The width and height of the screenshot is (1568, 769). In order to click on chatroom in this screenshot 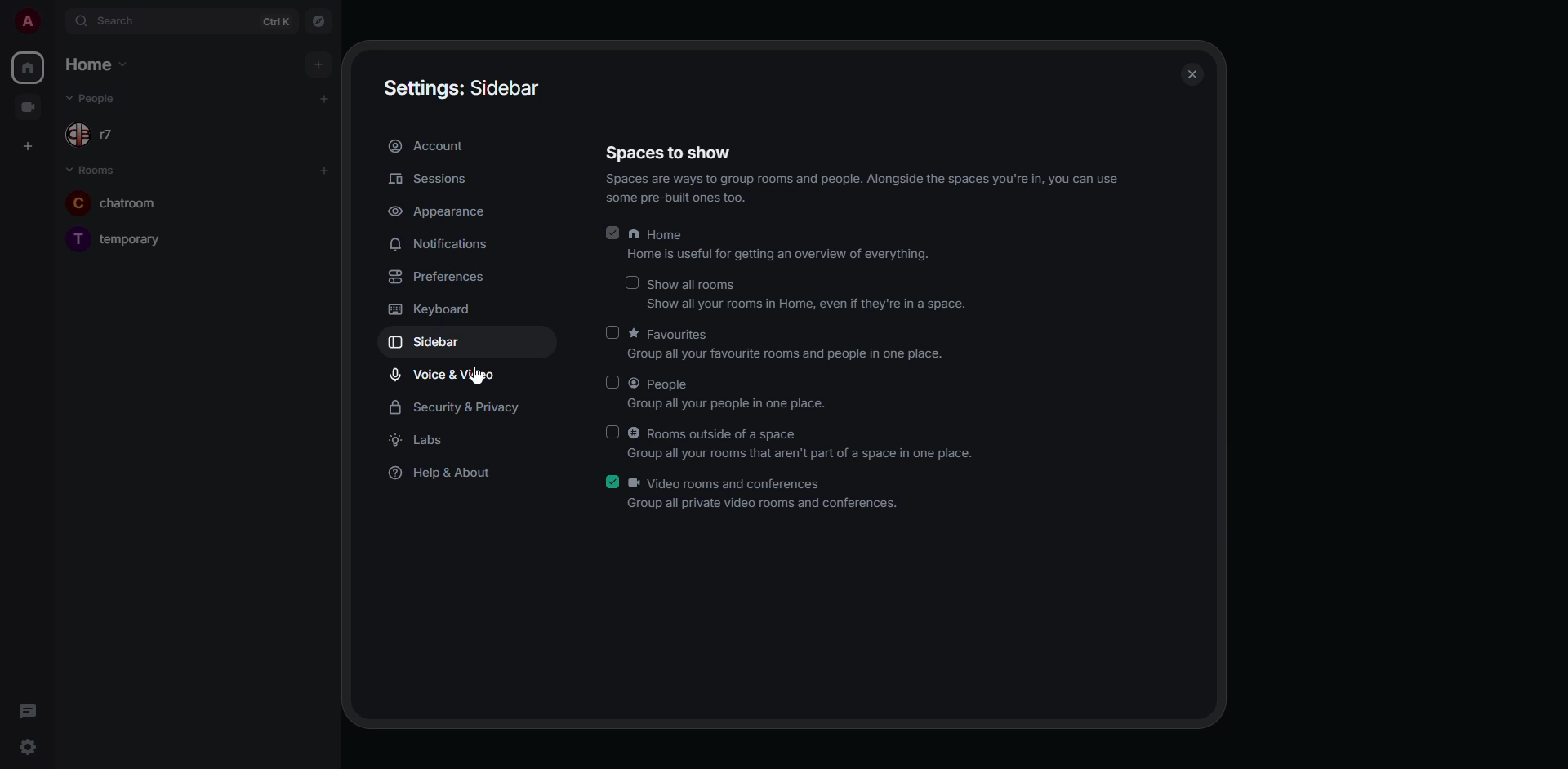, I will do `click(119, 202)`.